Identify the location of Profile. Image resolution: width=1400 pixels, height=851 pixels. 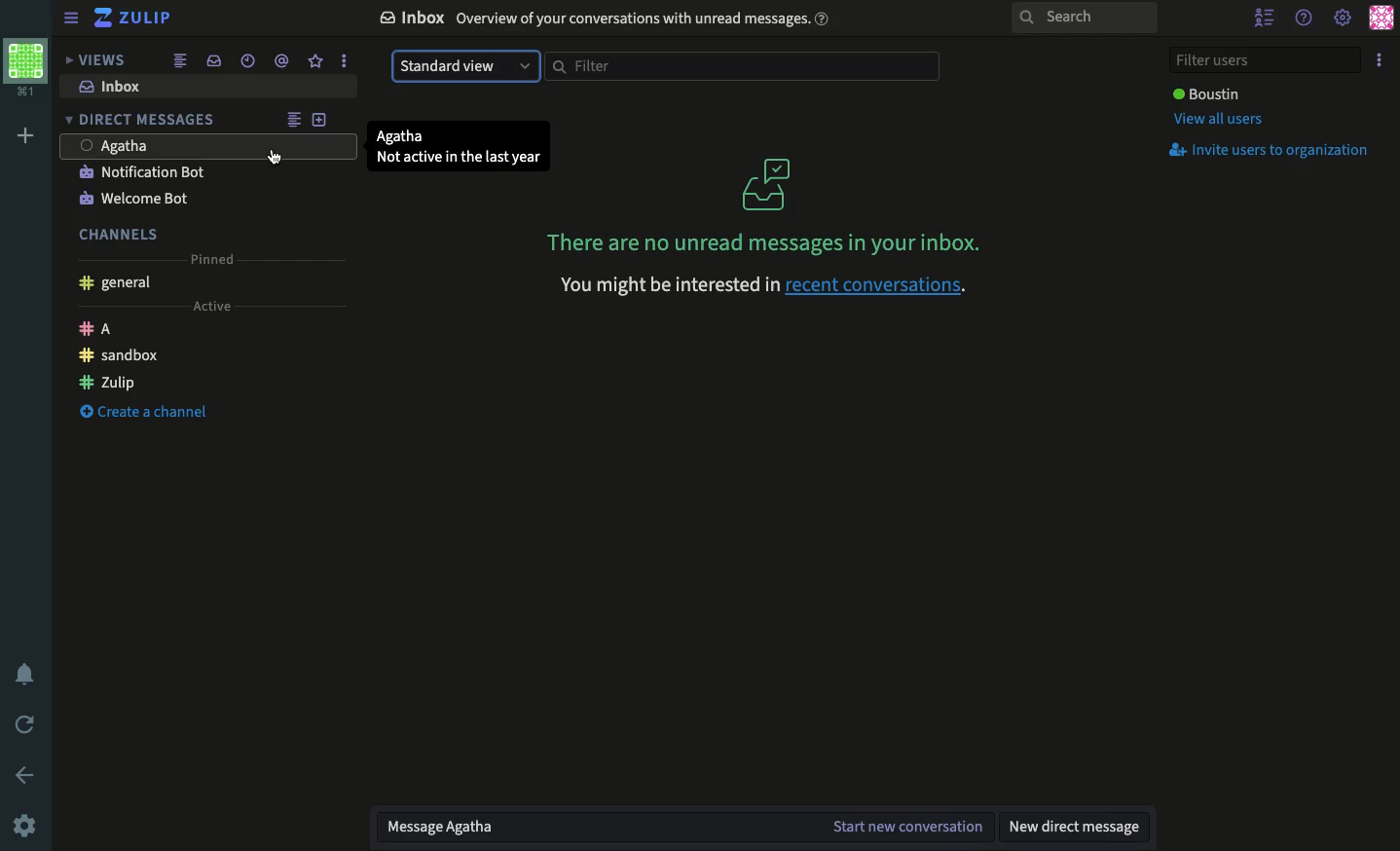
(1380, 19).